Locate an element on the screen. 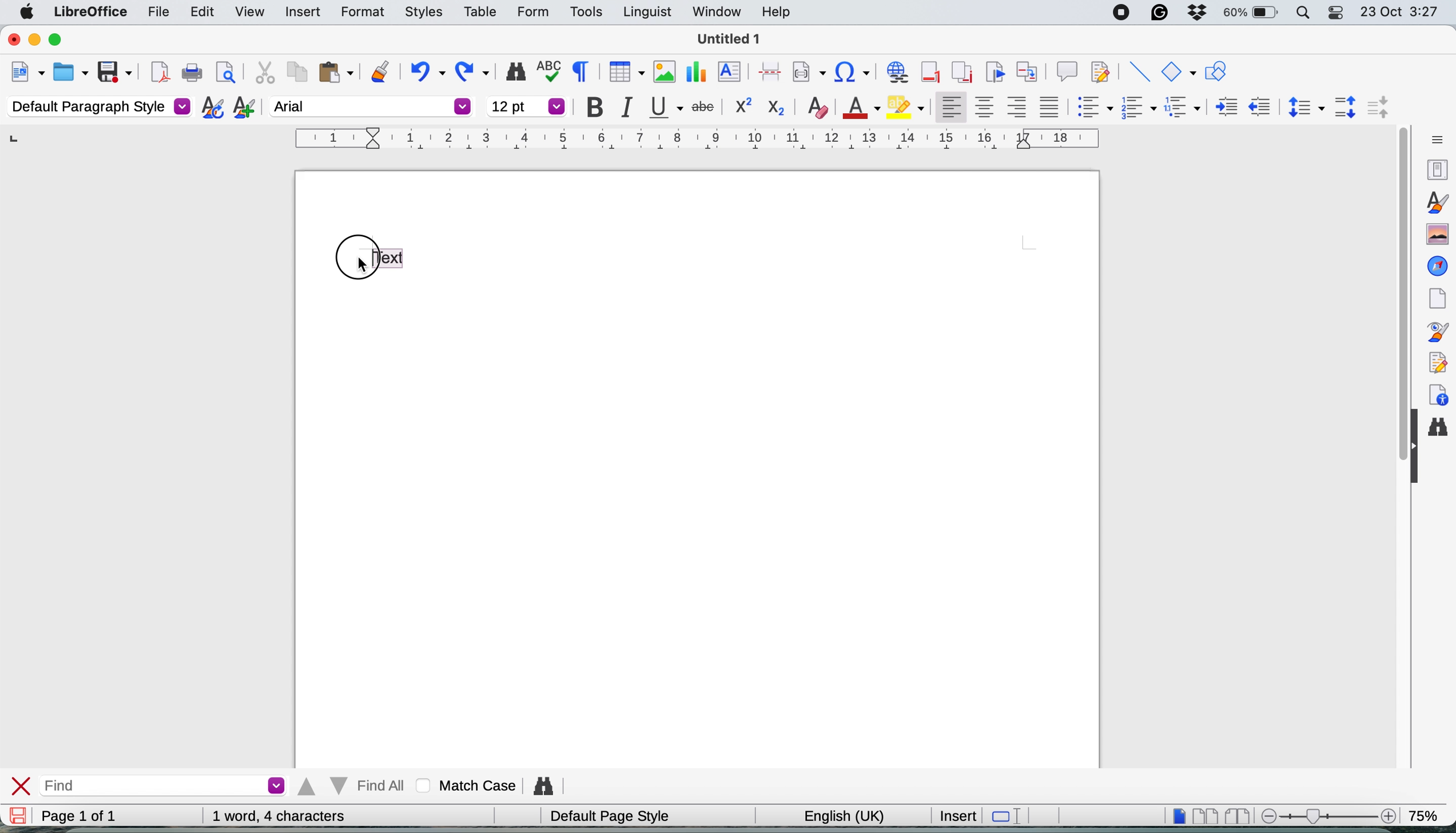 Image resolution: width=1456 pixels, height=833 pixels. find and replace is located at coordinates (512, 72).